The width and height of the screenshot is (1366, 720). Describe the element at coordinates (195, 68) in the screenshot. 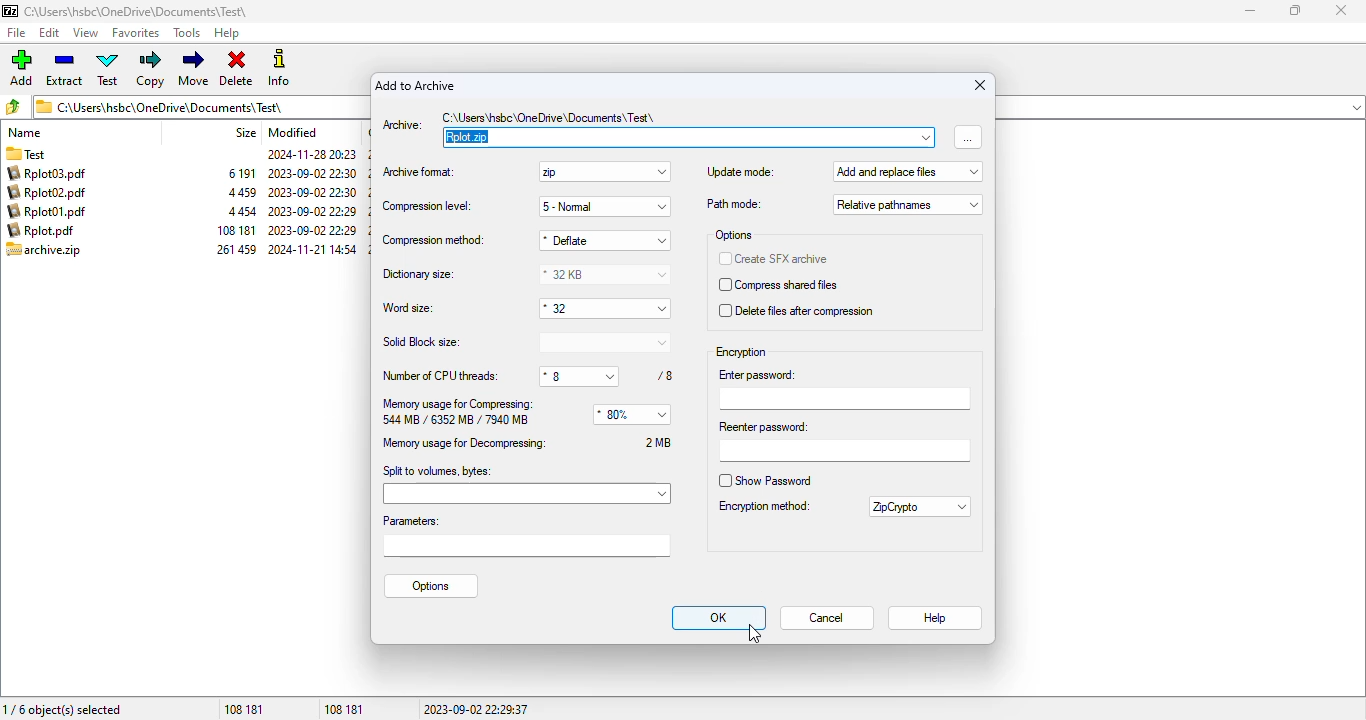

I see `move` at that location.